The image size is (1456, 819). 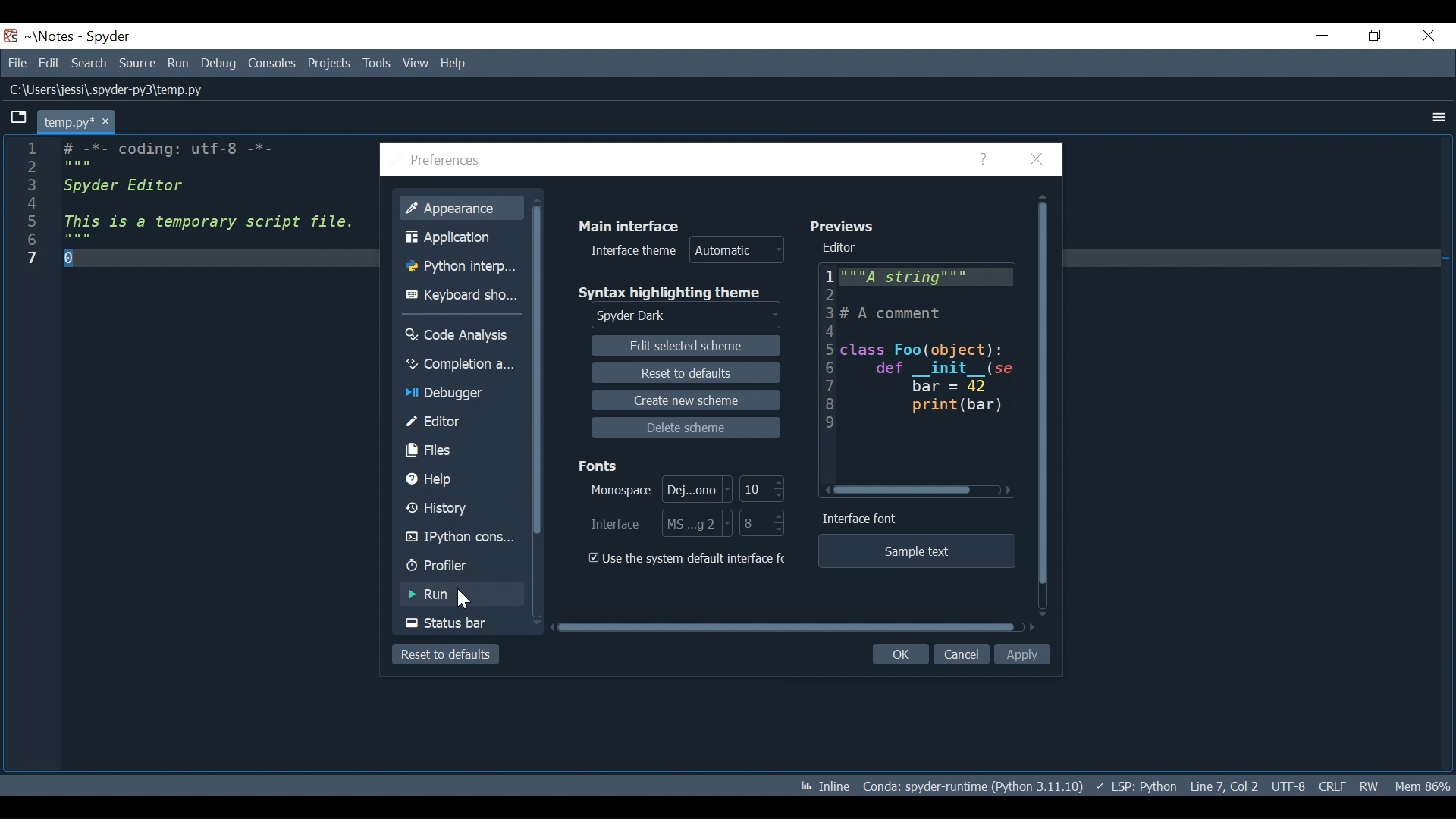 What do you see at coordinates (15, 63) in the screenshot?
I see `File` at bounding box center [15, 63].